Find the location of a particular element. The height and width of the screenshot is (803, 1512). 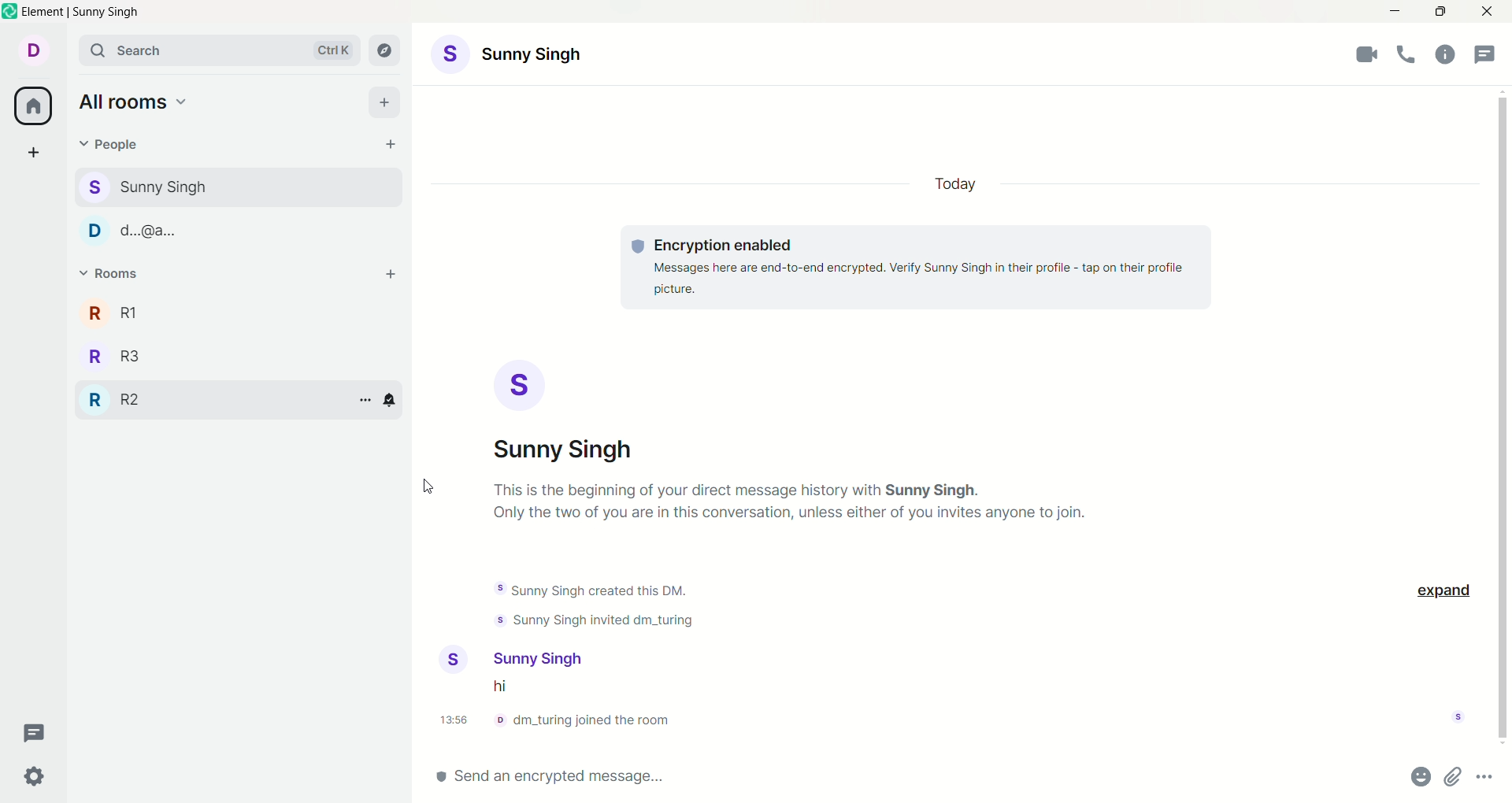

element is located at coordinates (75, 13).